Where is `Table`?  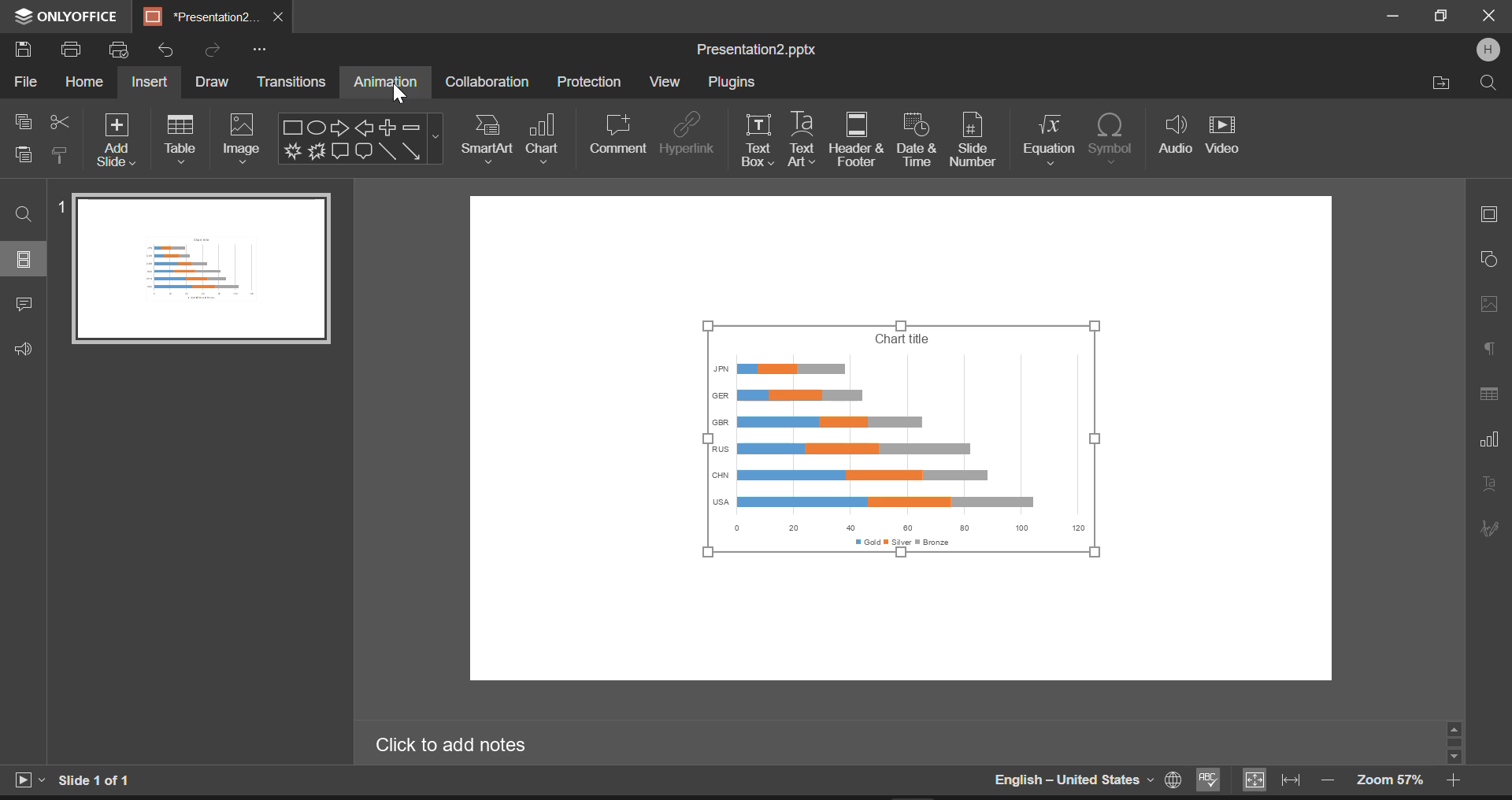
Table is located at coordinates (183, 138).